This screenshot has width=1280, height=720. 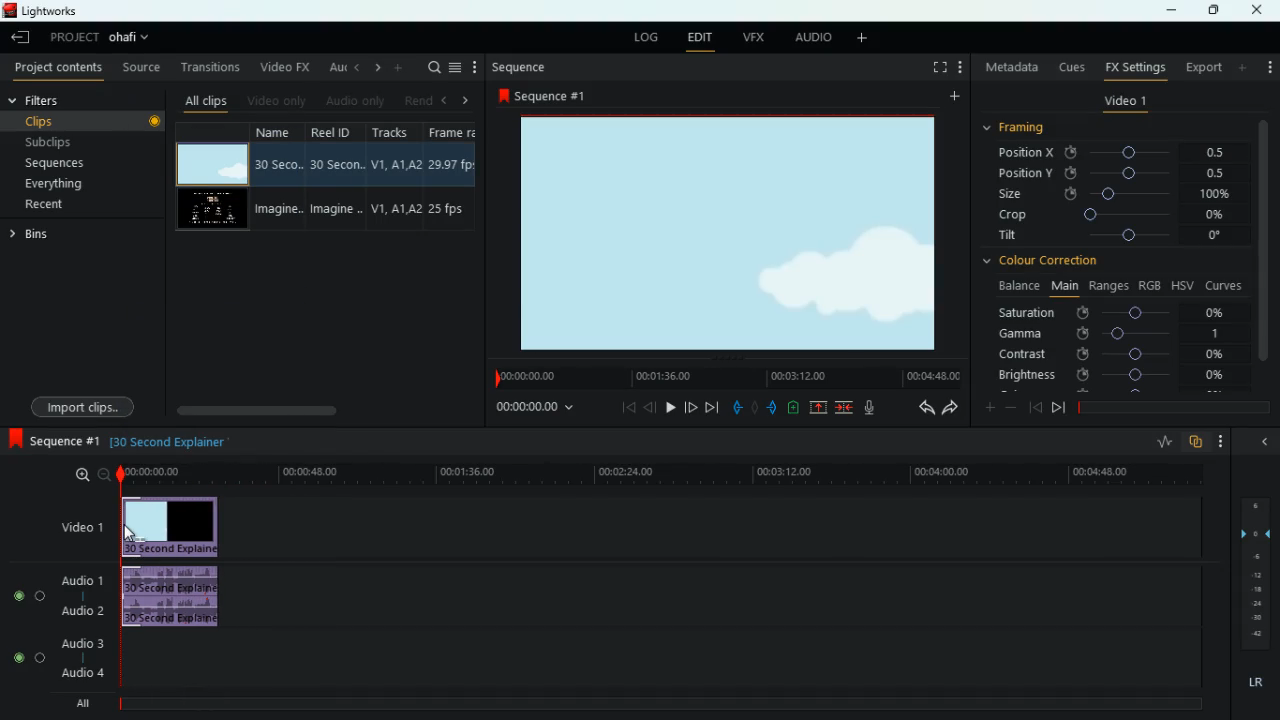 I want to click on everything, so click(x=59, y=184).